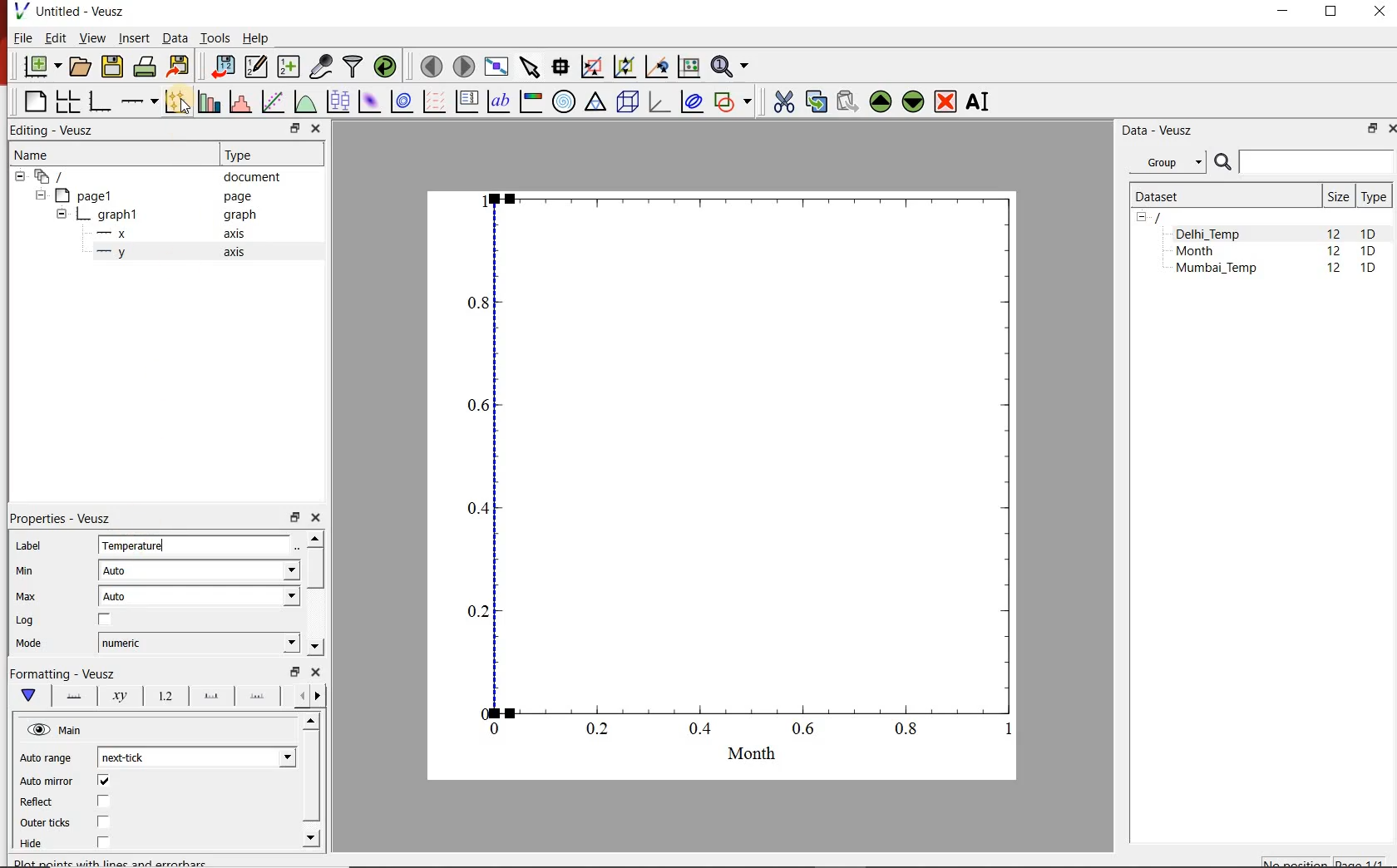  What do you see at coordinates (39, 802) in the screenshot?
I see `Reflect` at bounding box center [39, 802].